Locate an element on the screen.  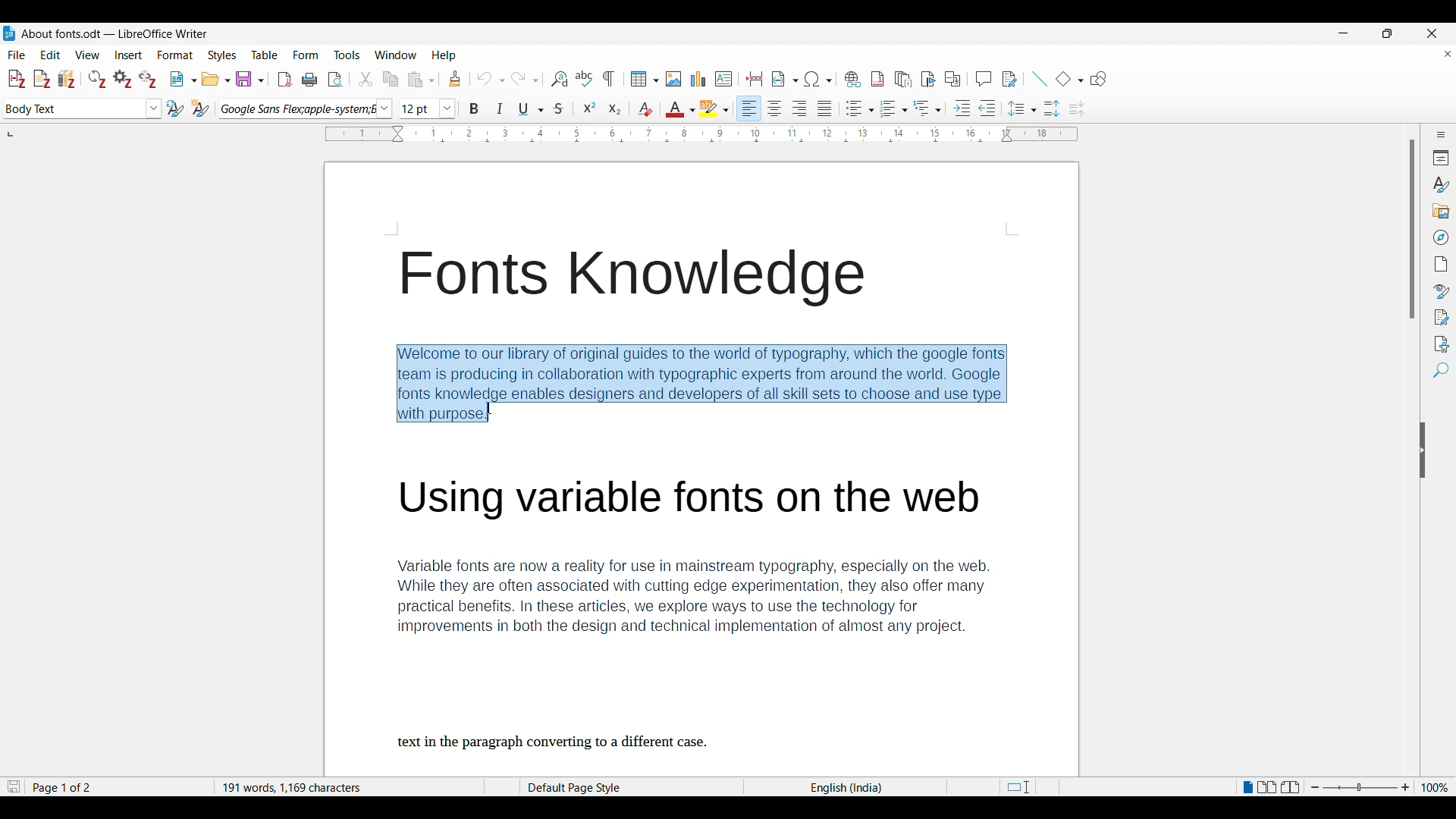
Style inspector is located at coordinates (1442, 291).